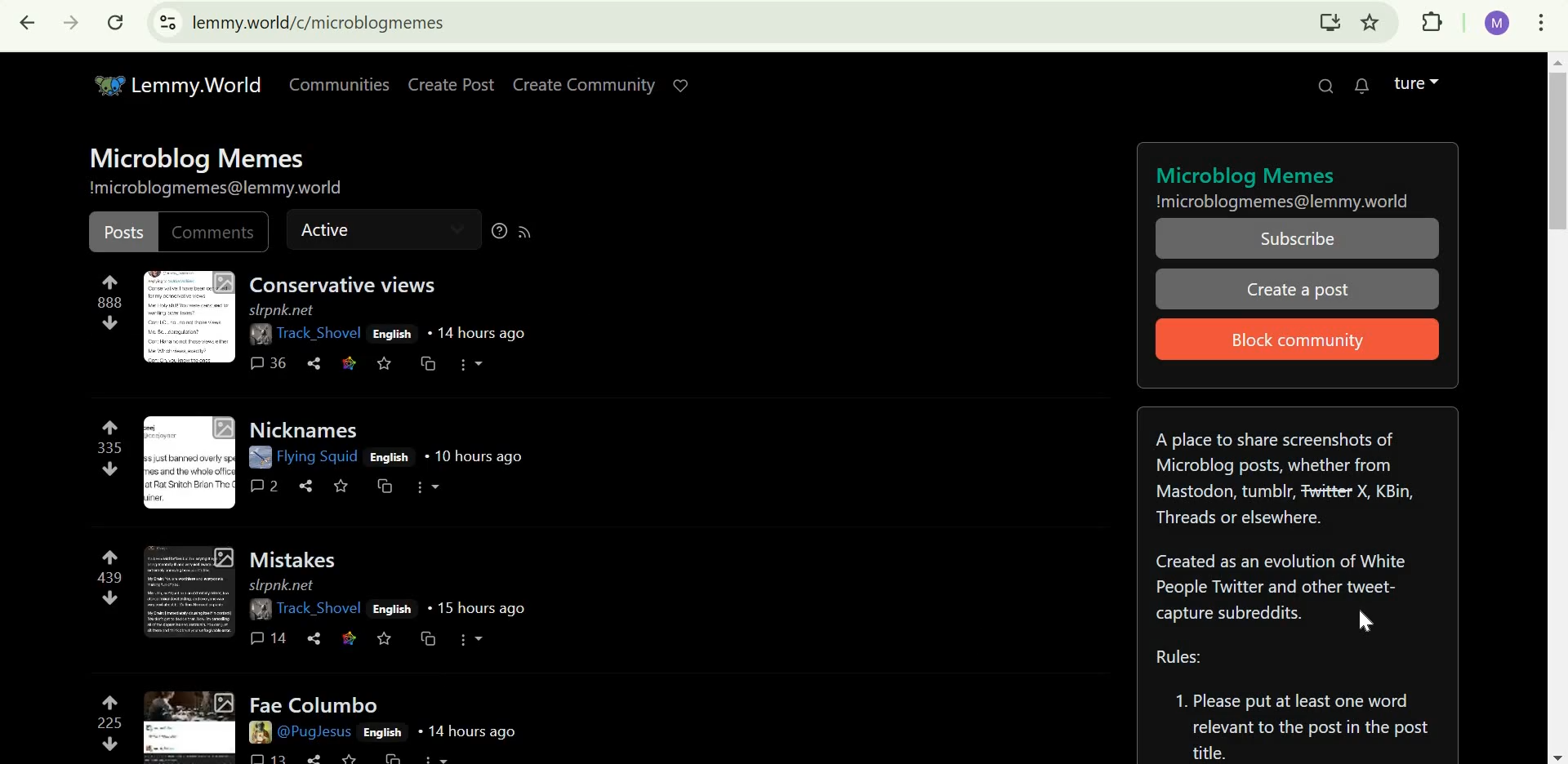 Image resolution: width=1568 pixels, height=764 pixels. What do you see at coordinates (1325, 24) in the screenshot?
I see `downloads` at bounding box center [1325, 24].